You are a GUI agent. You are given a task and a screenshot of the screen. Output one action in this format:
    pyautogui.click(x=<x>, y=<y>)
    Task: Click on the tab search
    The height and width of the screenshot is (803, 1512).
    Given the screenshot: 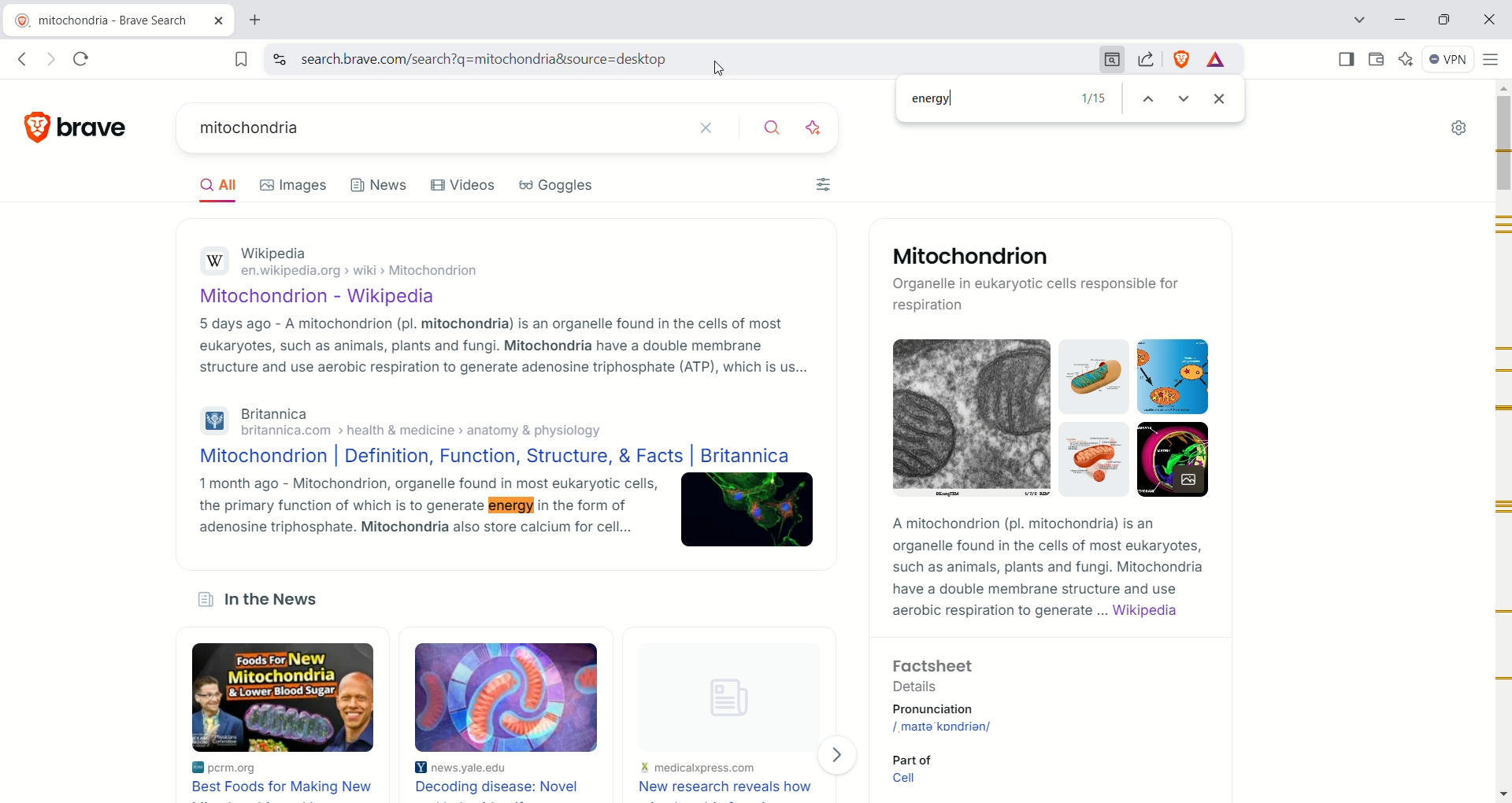 What is the action you would take?
    pyautogui.click(x=1359, y=22)
    